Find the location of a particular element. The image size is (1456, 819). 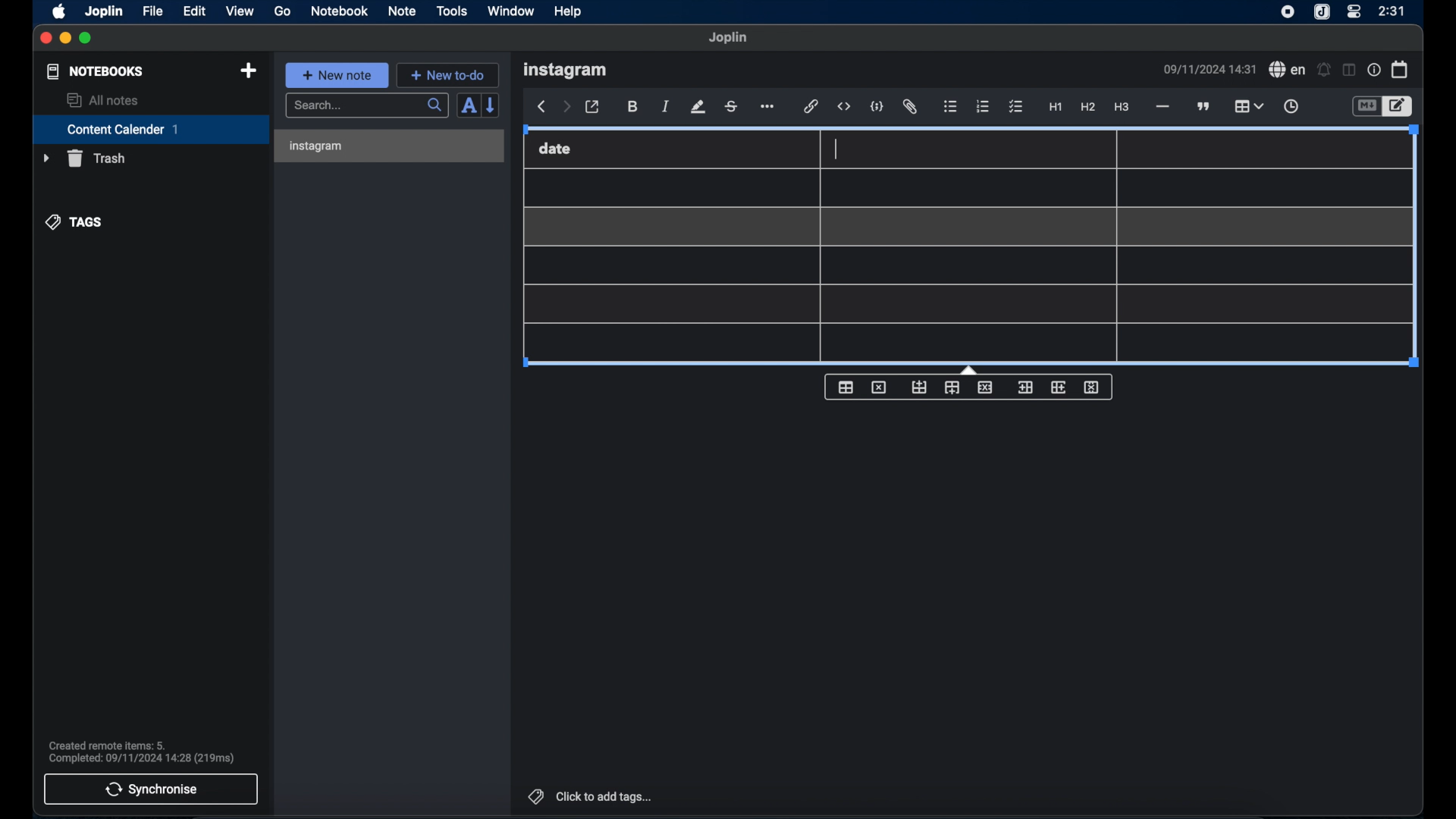

spell check is located at coordinates (1288, 69).